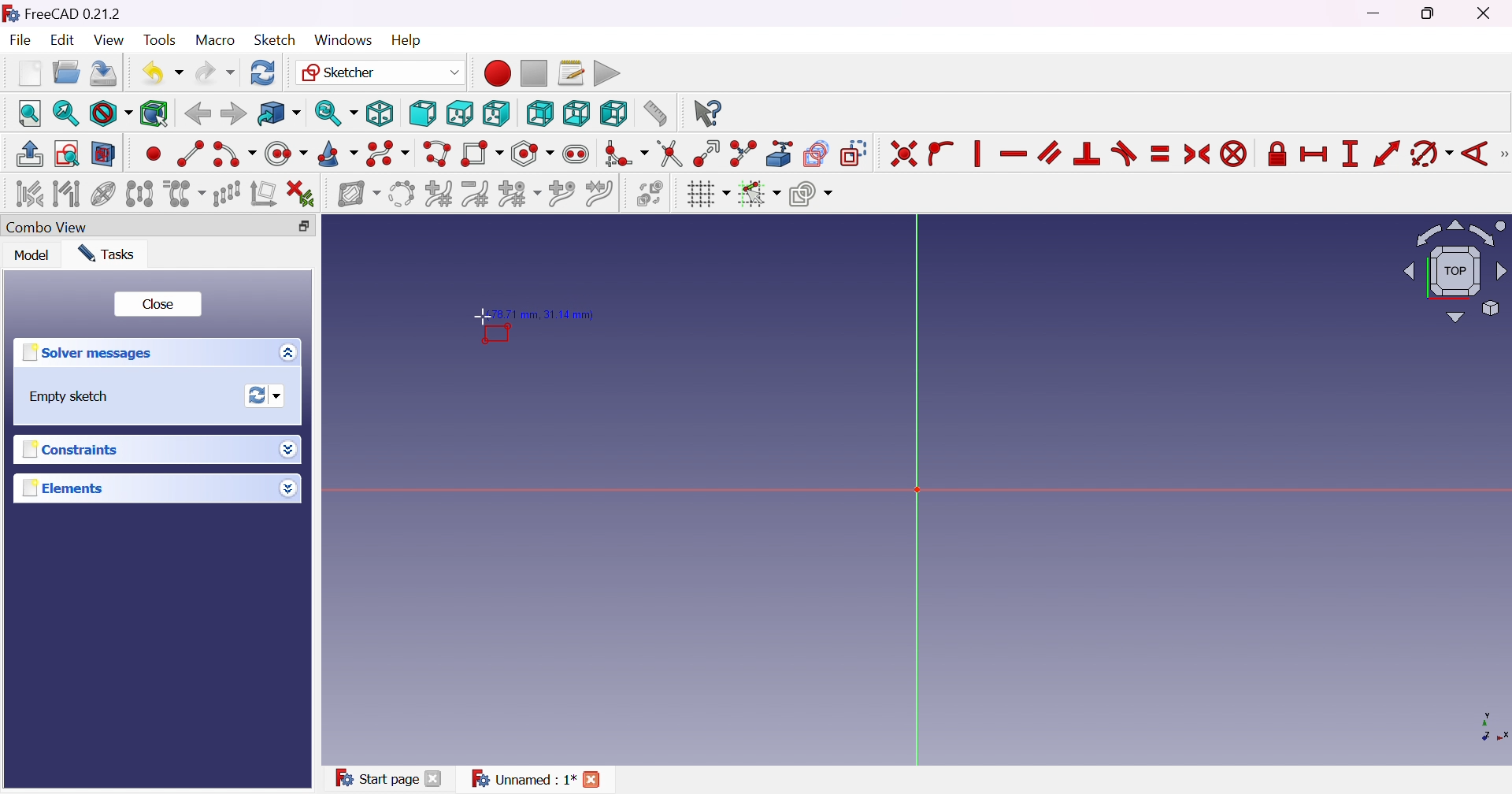 Image resolution: width=1512 pixels, height=794 pixels. Describe the element at coordinates (476, 317) in the screenshot. I see `Cursor` at that location.